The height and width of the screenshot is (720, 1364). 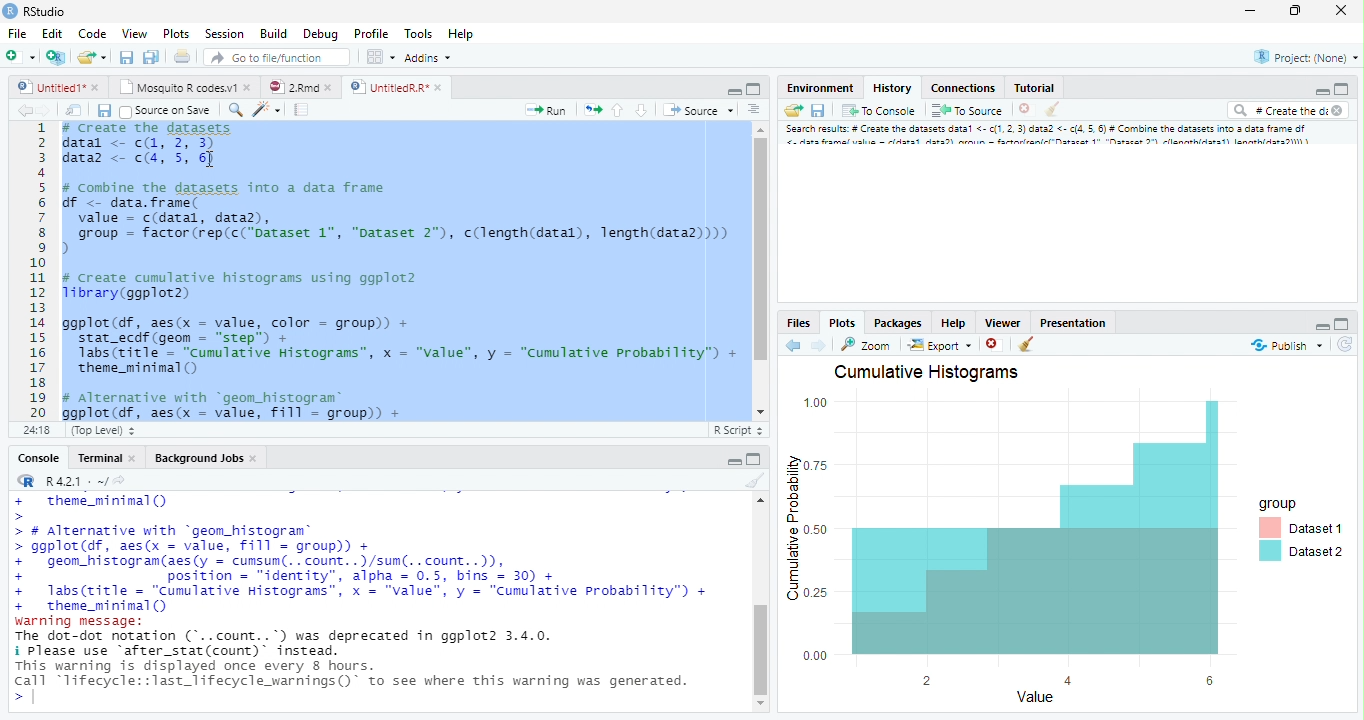 What do you see at coordinates (91, 35) in the screenshot?
I see `Code` at bounding box center [91, 35].